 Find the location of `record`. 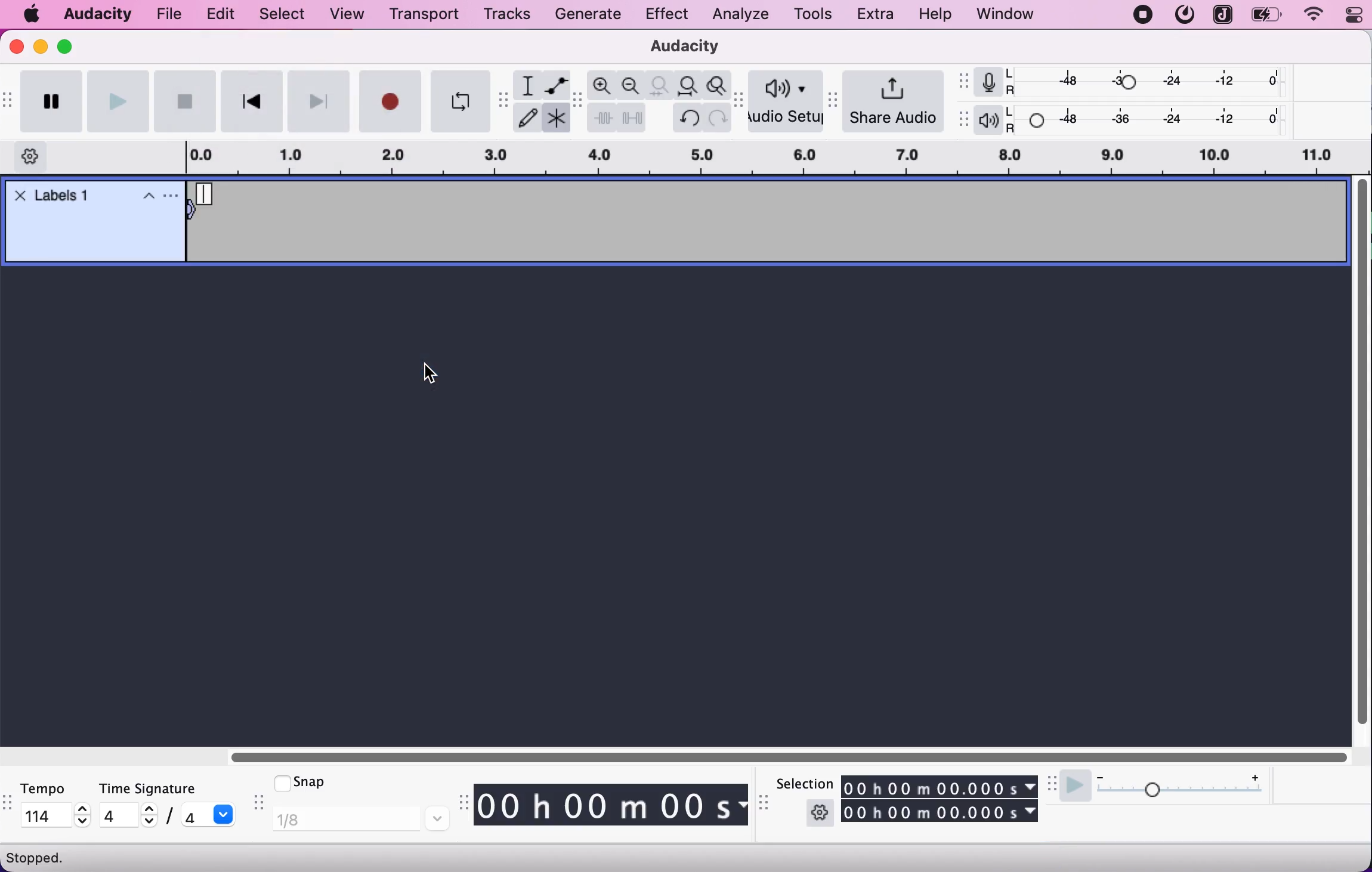

record is located at coordinates (390, 100).